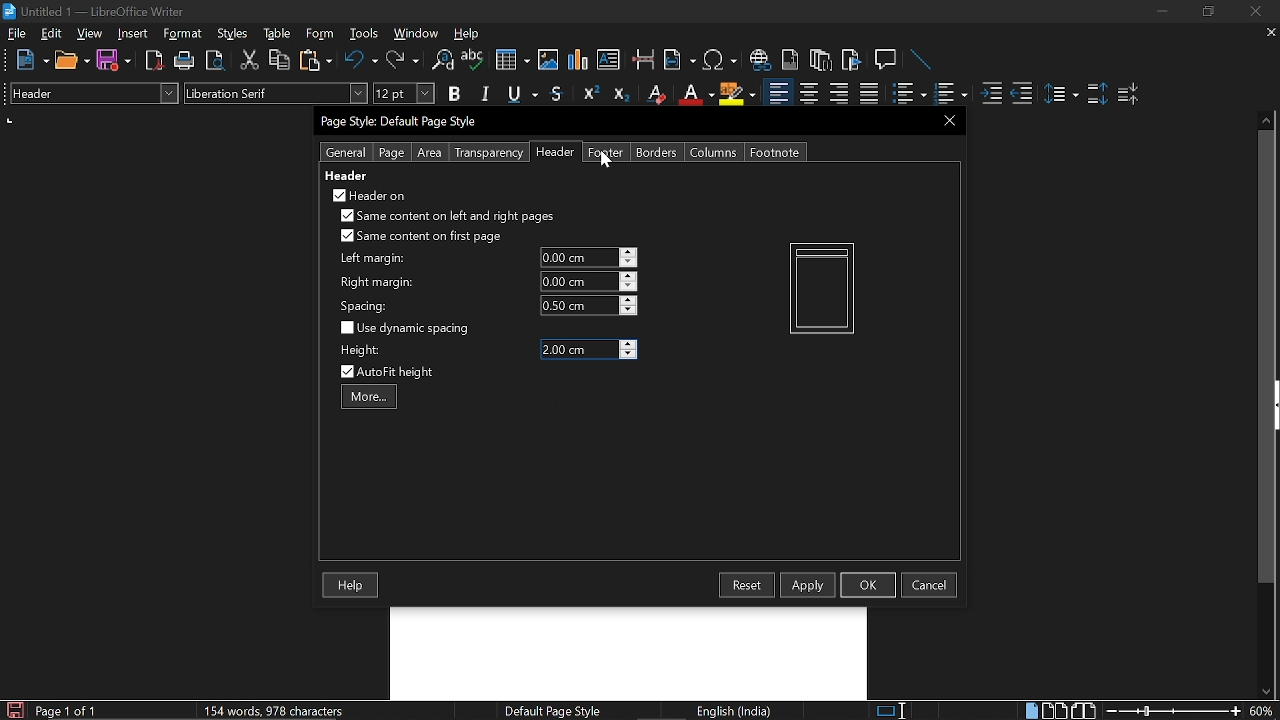 The image size is (1280, 720). I want to click on Minimize, so click(1162, 14).